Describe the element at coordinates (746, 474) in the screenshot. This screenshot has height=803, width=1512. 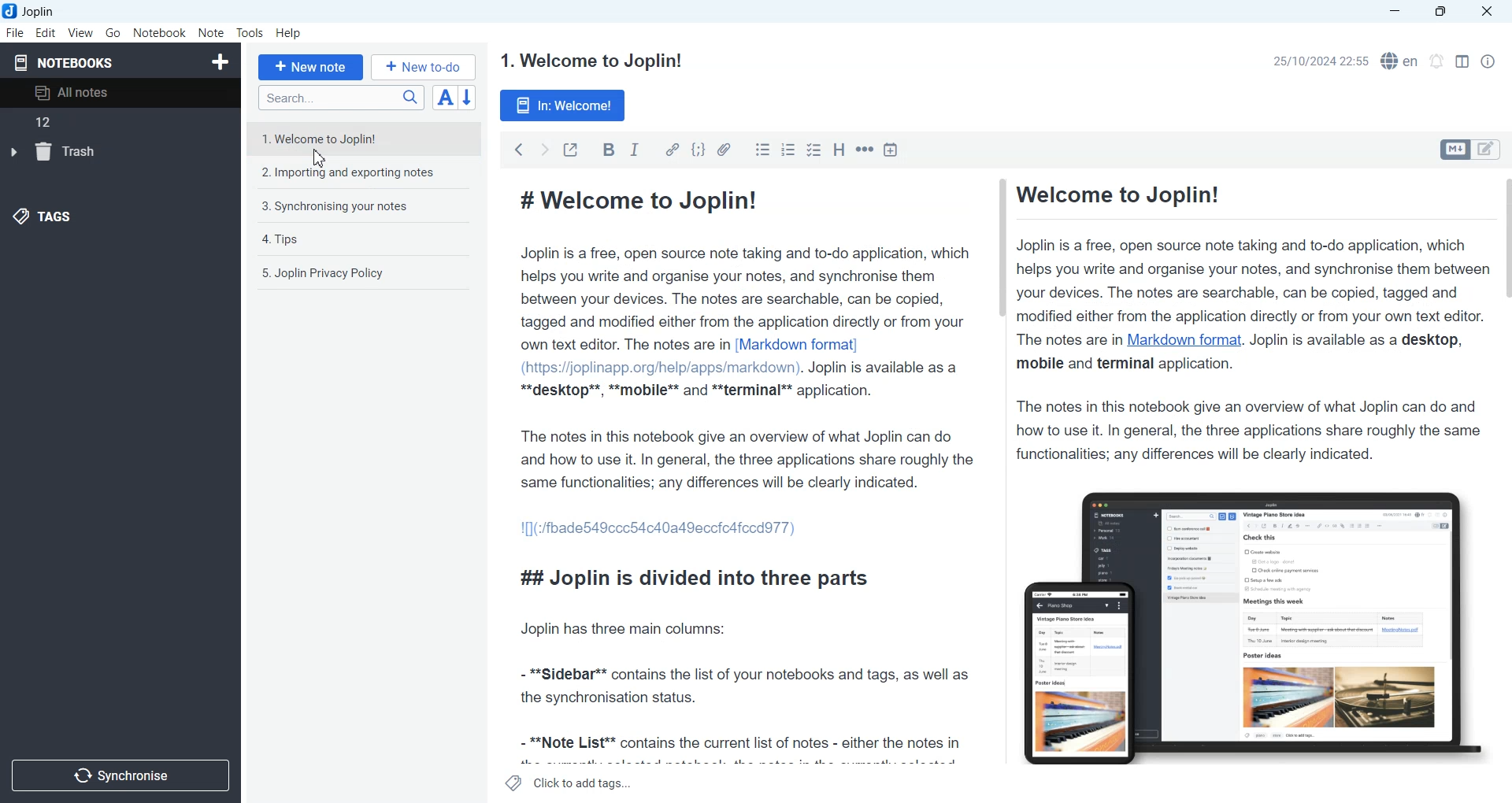
I see `# Welcome to Joplin!

Joplin is a free, open source note taking and to-do application, which
helps you write and organise your notes, and synchronise them
between your devices. The notes are searchable, can be copied,
tagged and modified either from the application directly or from your
own text editor. The notes are in [Markdown format]
(https://joplinapp.org/help/apps/markdown). Joplin is available as a
**desktop**, **mobile** and **terminal** application.

The notes in this notebook give an overview of what Joplin can do
and how to use it. In general, the three applications share roughly the
same functionalities; any differences will be clearly indicated.
1[](:/fbade549ccc54c40a49eccicafccdd77)

## Joplin is divided into three parts

Joplin has three main columns:

- **Sidebar** contains the list of your notebooks and tags, as well as
the synchronisation status.

- **Note List** contains the current list of notes - either the notes in` at that location.